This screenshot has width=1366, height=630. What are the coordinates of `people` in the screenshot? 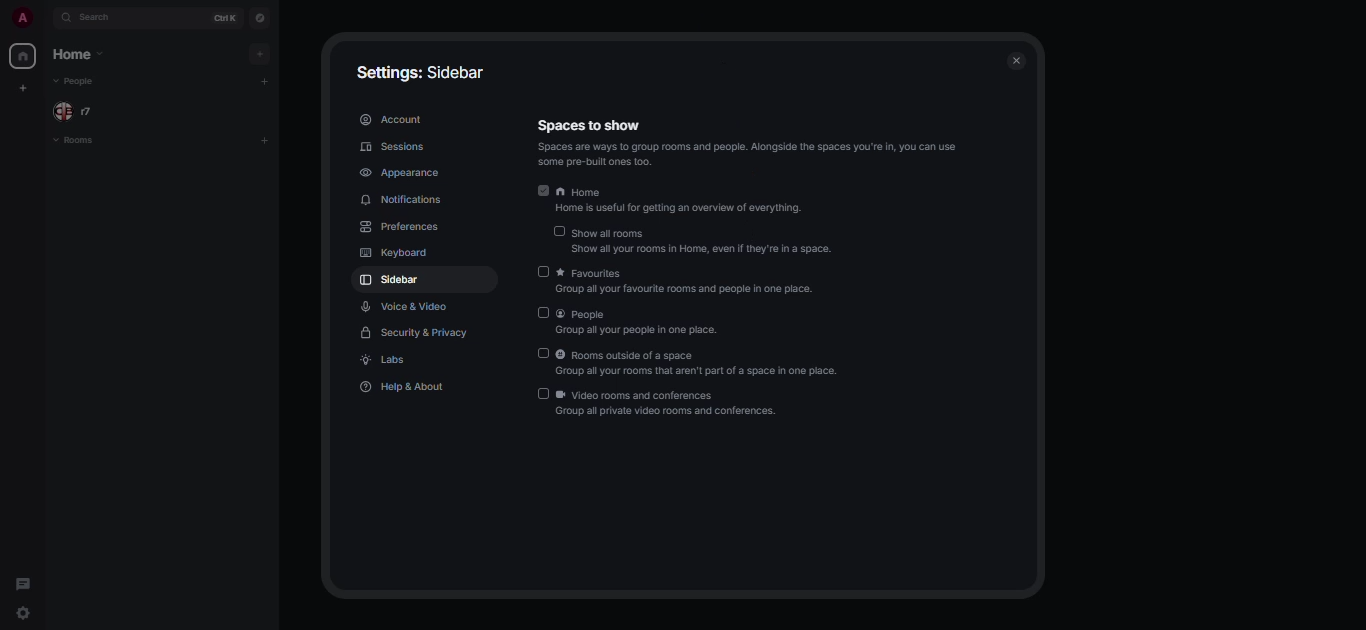 It's located at (79, 111).